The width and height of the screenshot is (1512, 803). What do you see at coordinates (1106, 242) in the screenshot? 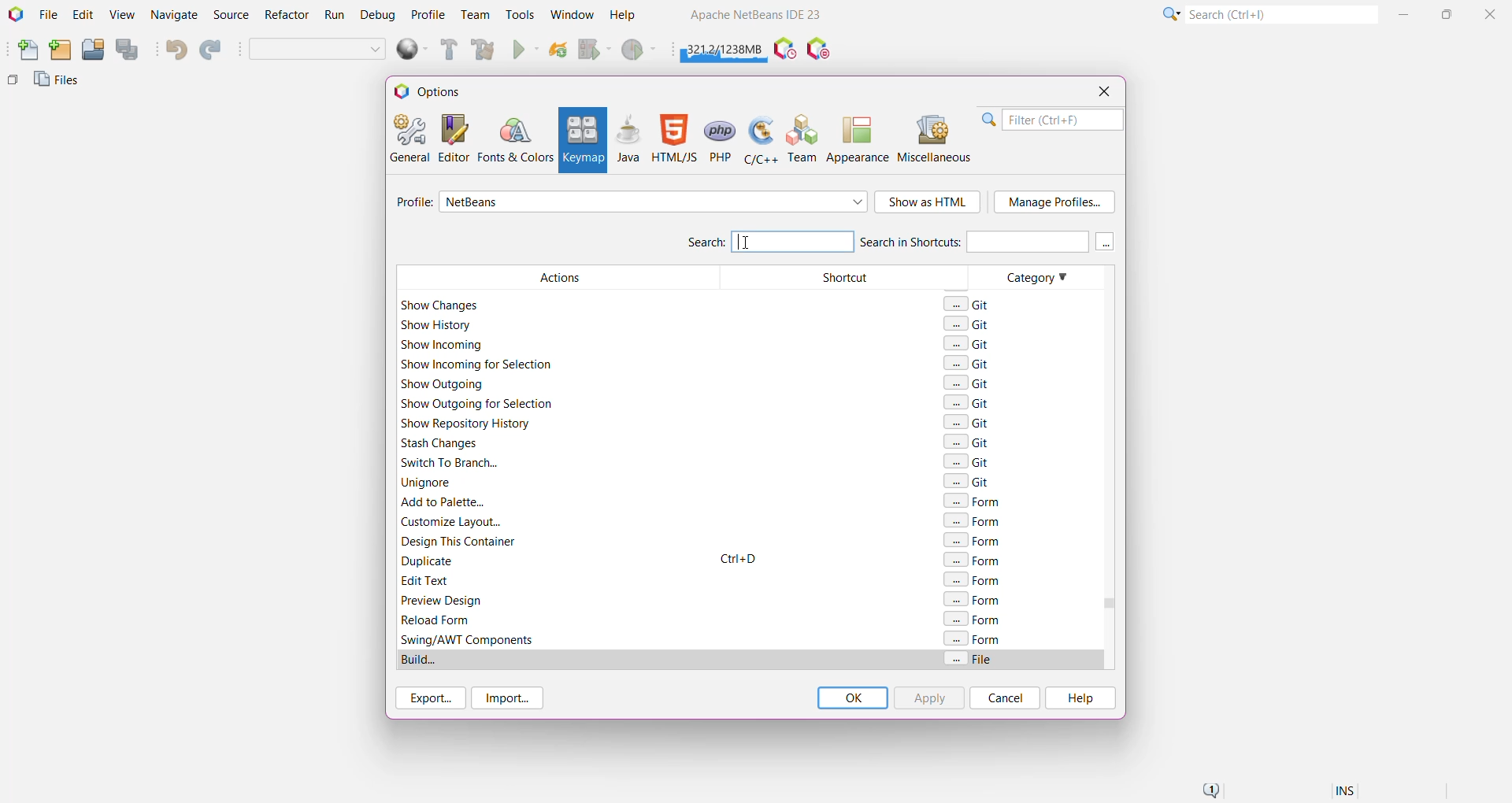
I see `More keys` at bounding box center [1106, 242].